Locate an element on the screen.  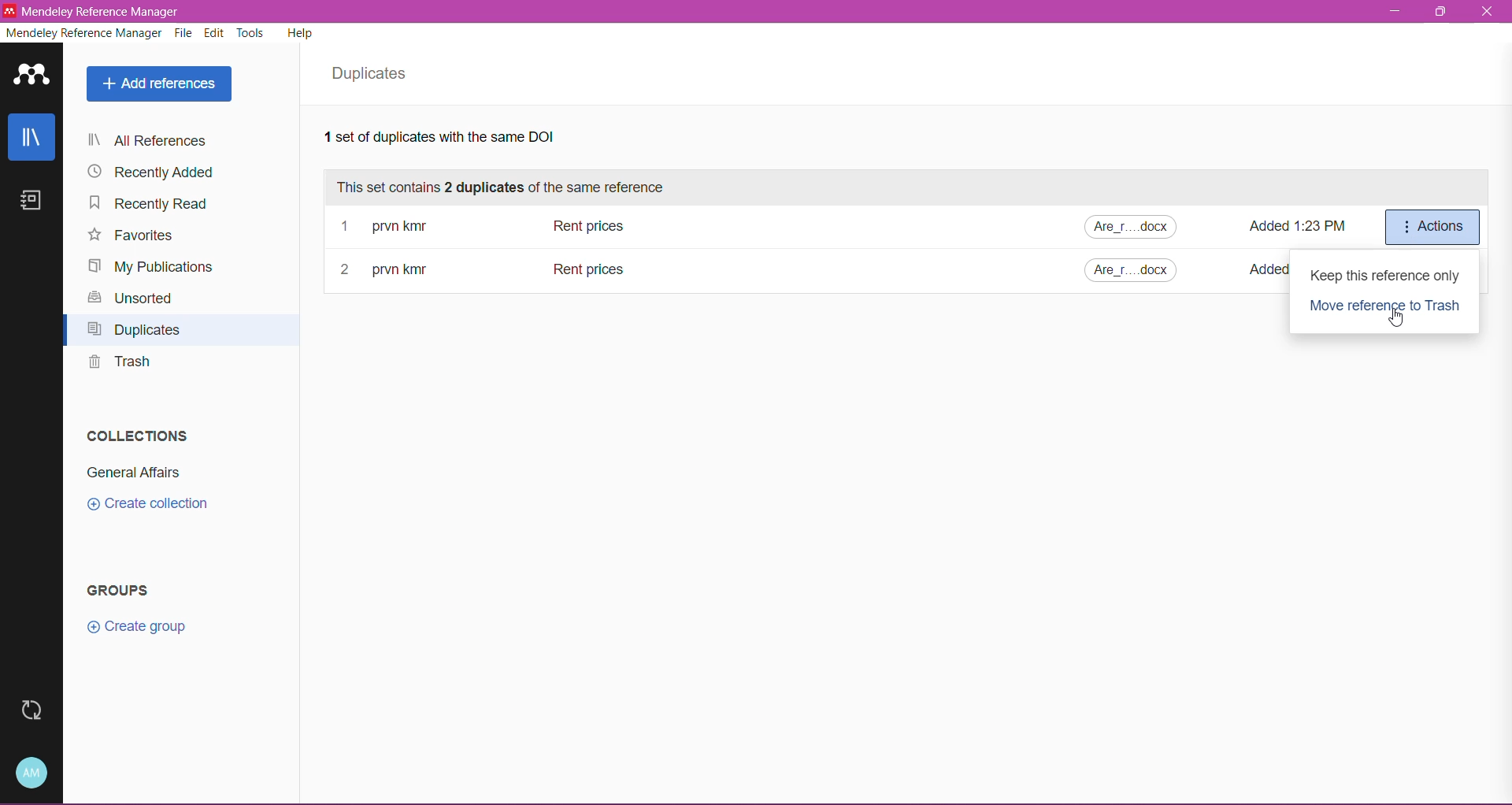
file is located at coordinates (1131, 270).